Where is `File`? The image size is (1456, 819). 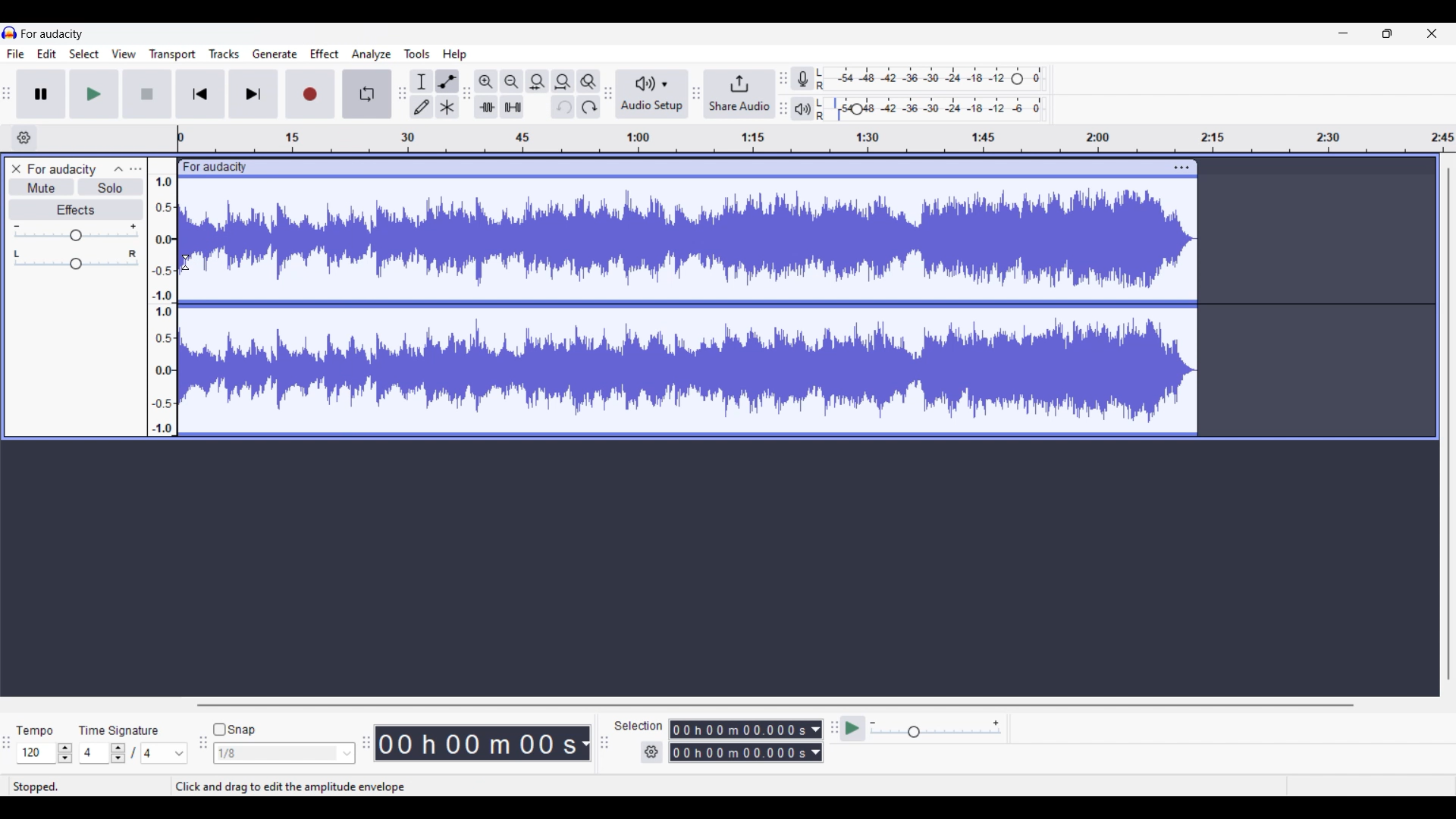
File is located at coordinates (16, 54).